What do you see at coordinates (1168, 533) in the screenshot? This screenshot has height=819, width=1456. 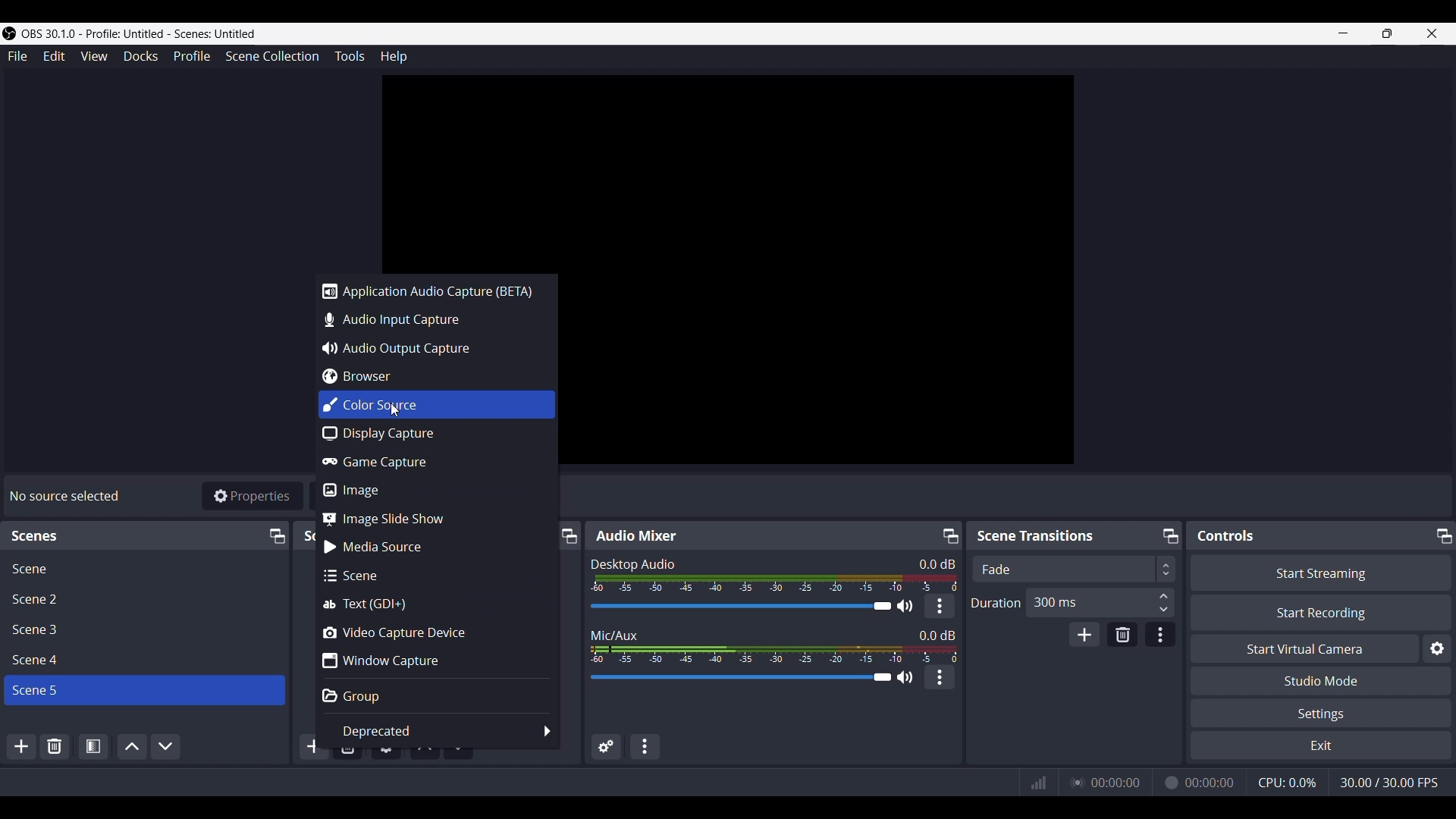 I see `Maximize` at bounding box center [1168, 533].